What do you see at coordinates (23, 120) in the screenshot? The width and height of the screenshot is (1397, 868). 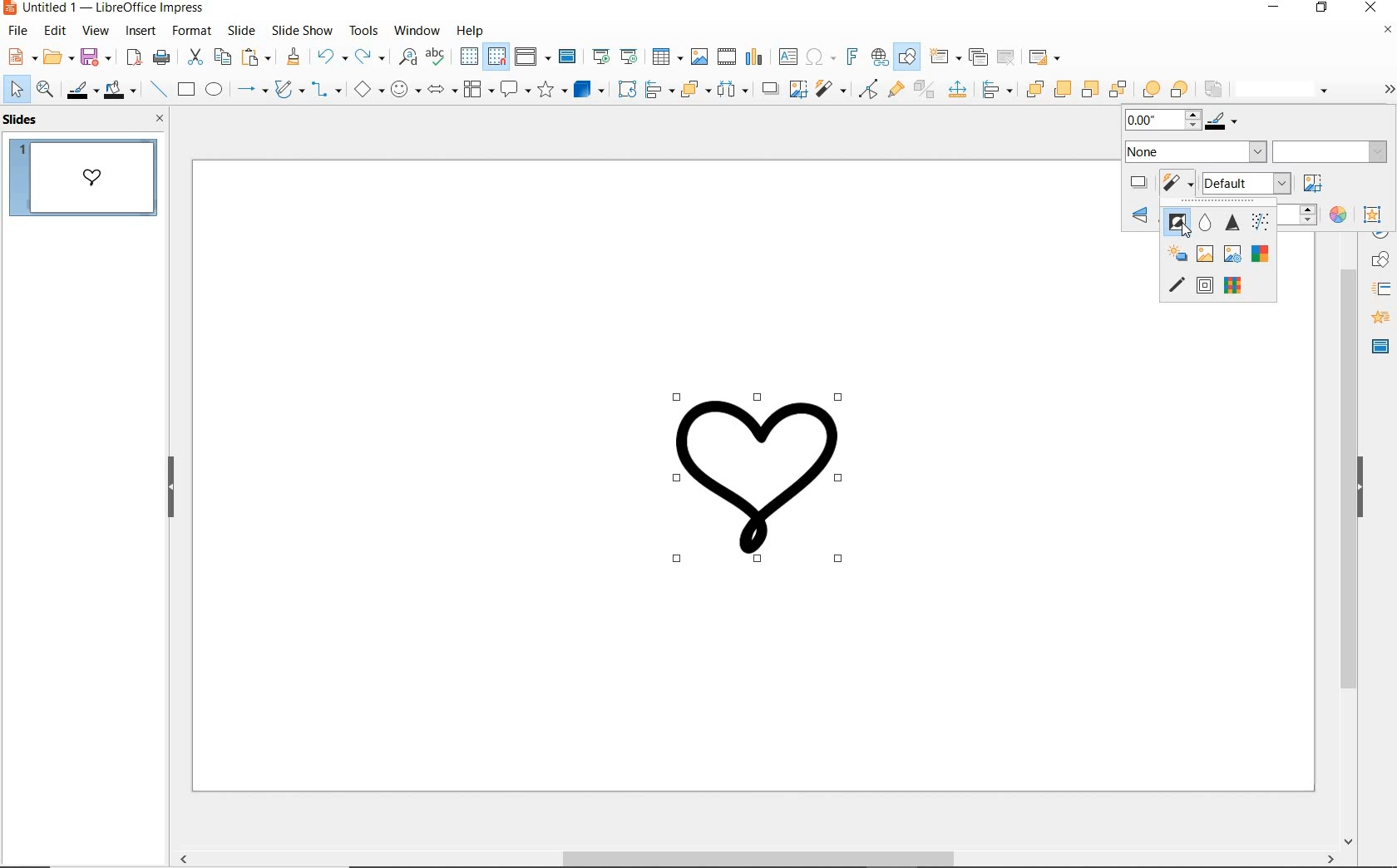 I see `SLIDES` at bounding box center [23, 120].